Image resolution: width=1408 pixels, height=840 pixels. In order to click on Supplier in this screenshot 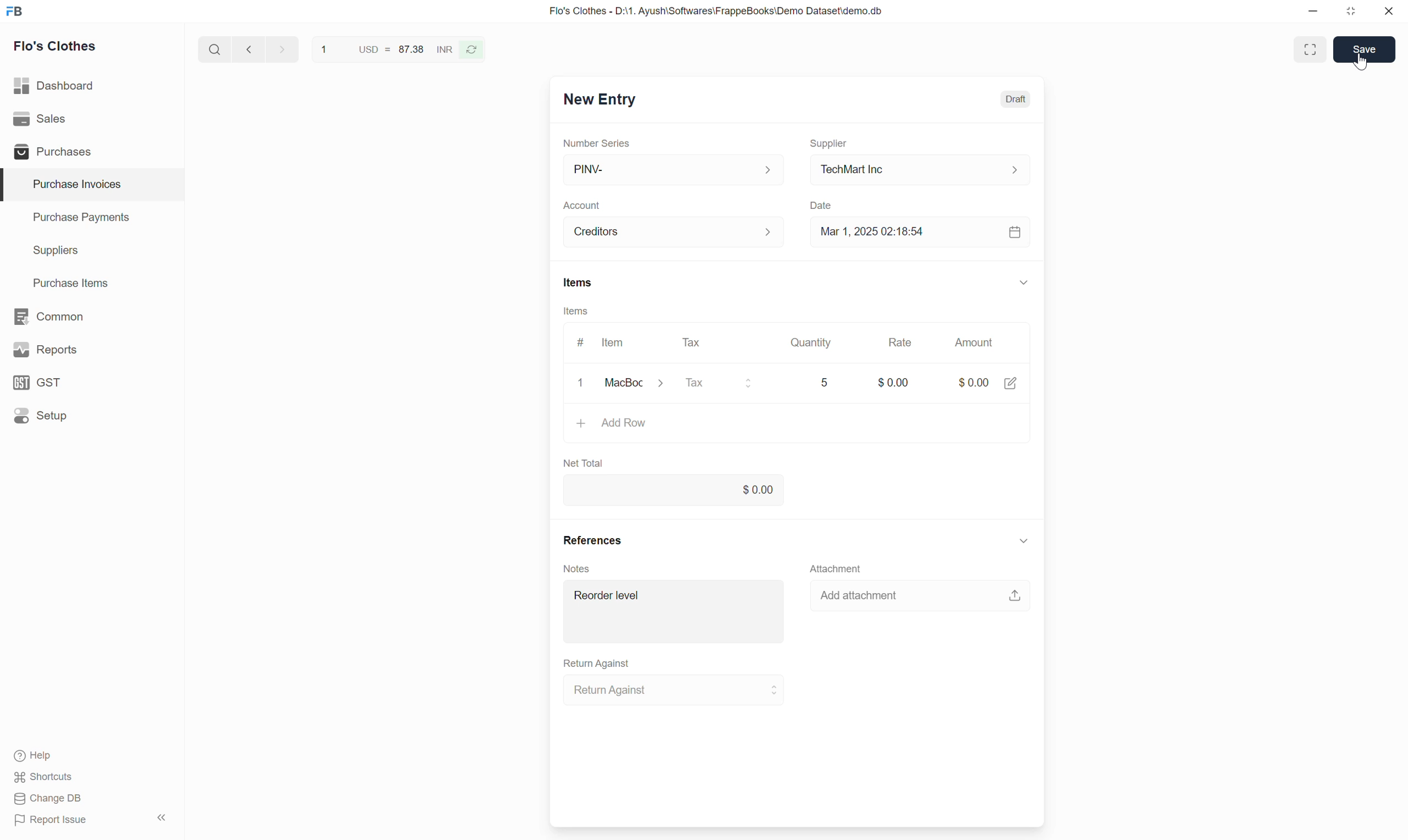, I will do `click(829, 144)`.